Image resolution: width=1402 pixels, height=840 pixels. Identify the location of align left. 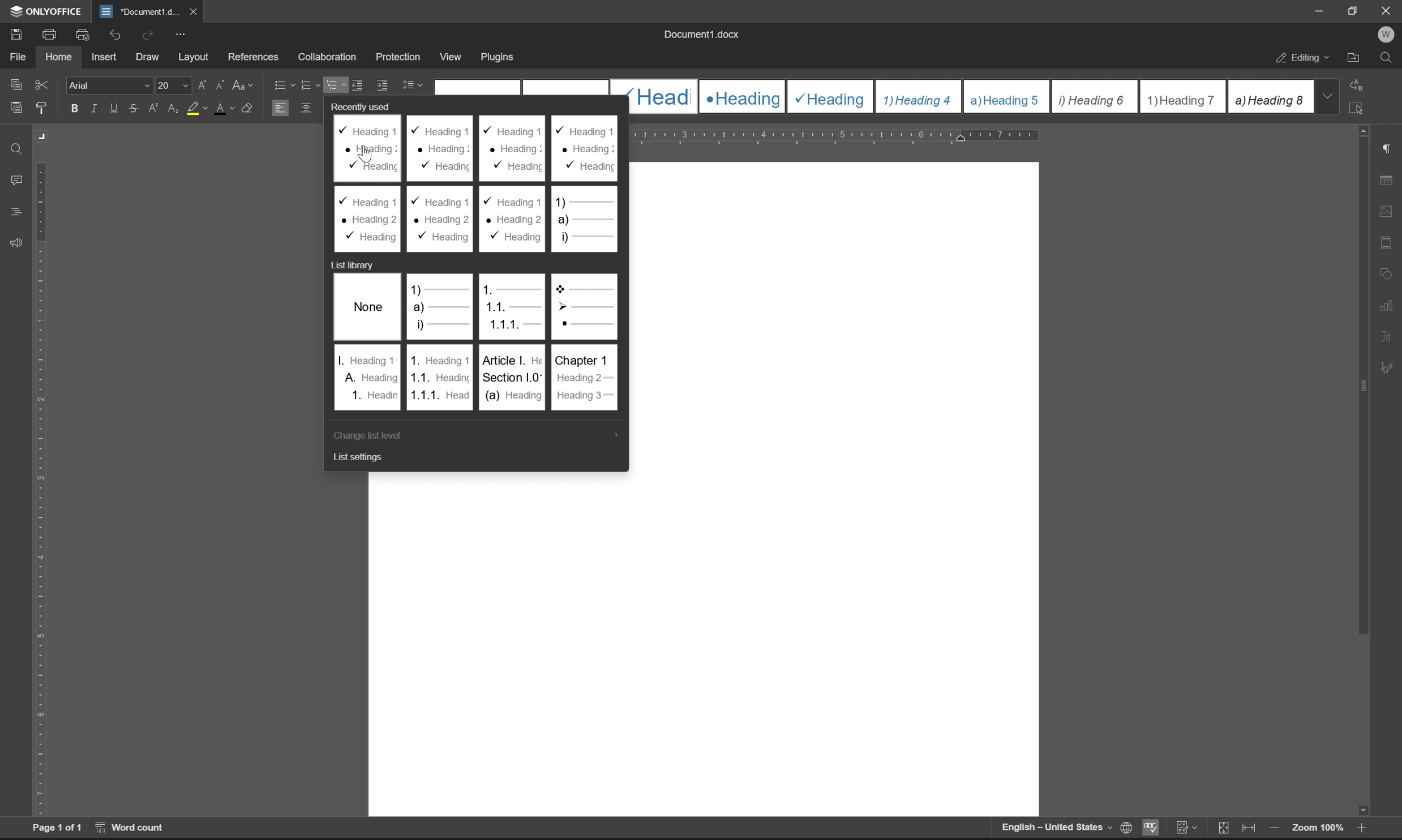
(280, 107).